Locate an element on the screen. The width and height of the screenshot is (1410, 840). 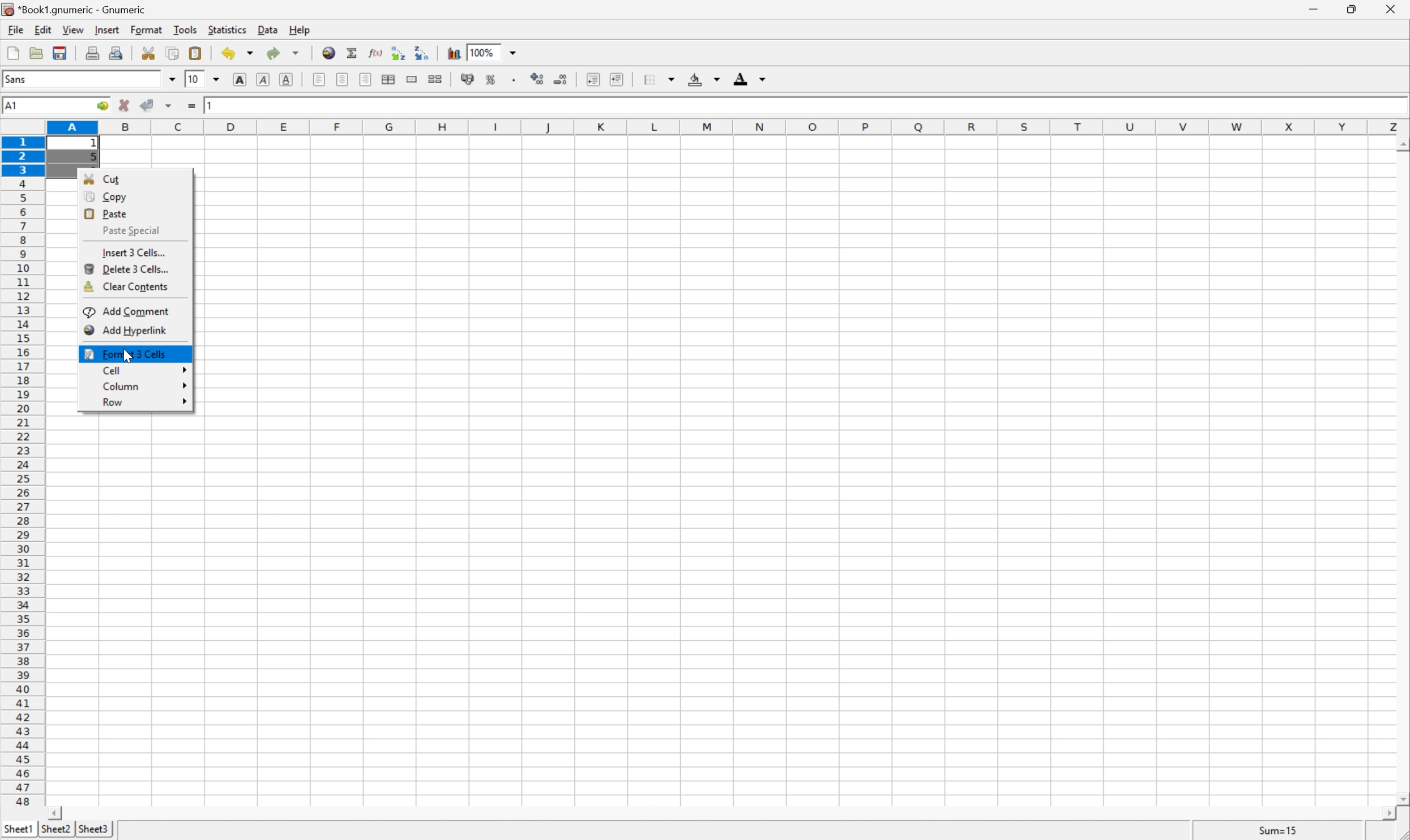
column names is located at coordinates (730, 128).